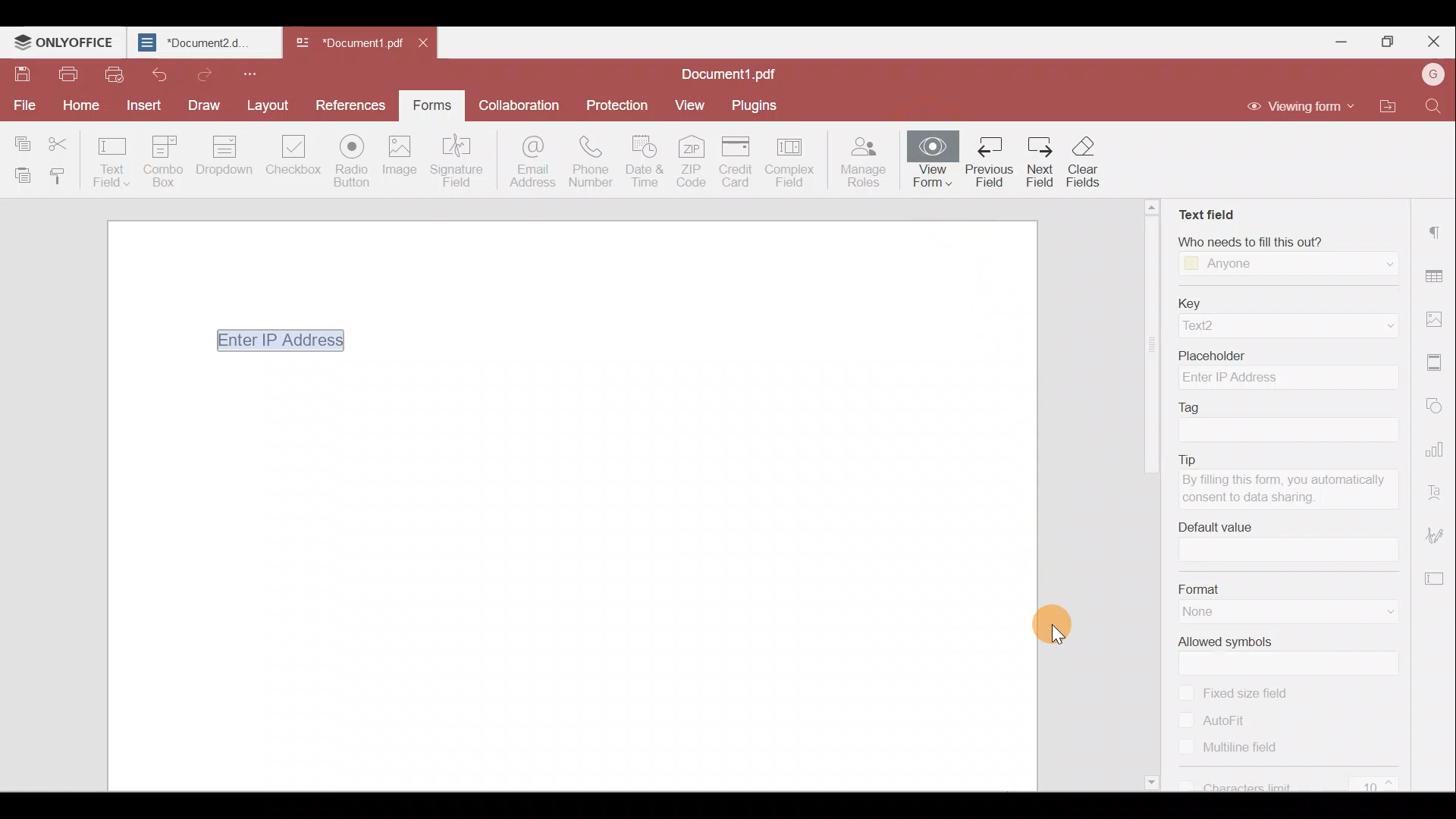 This screenshot has width=1456, height=819. Describe the element at coordinates (142, 104) in the screenshot. I see `Insert` at that location.